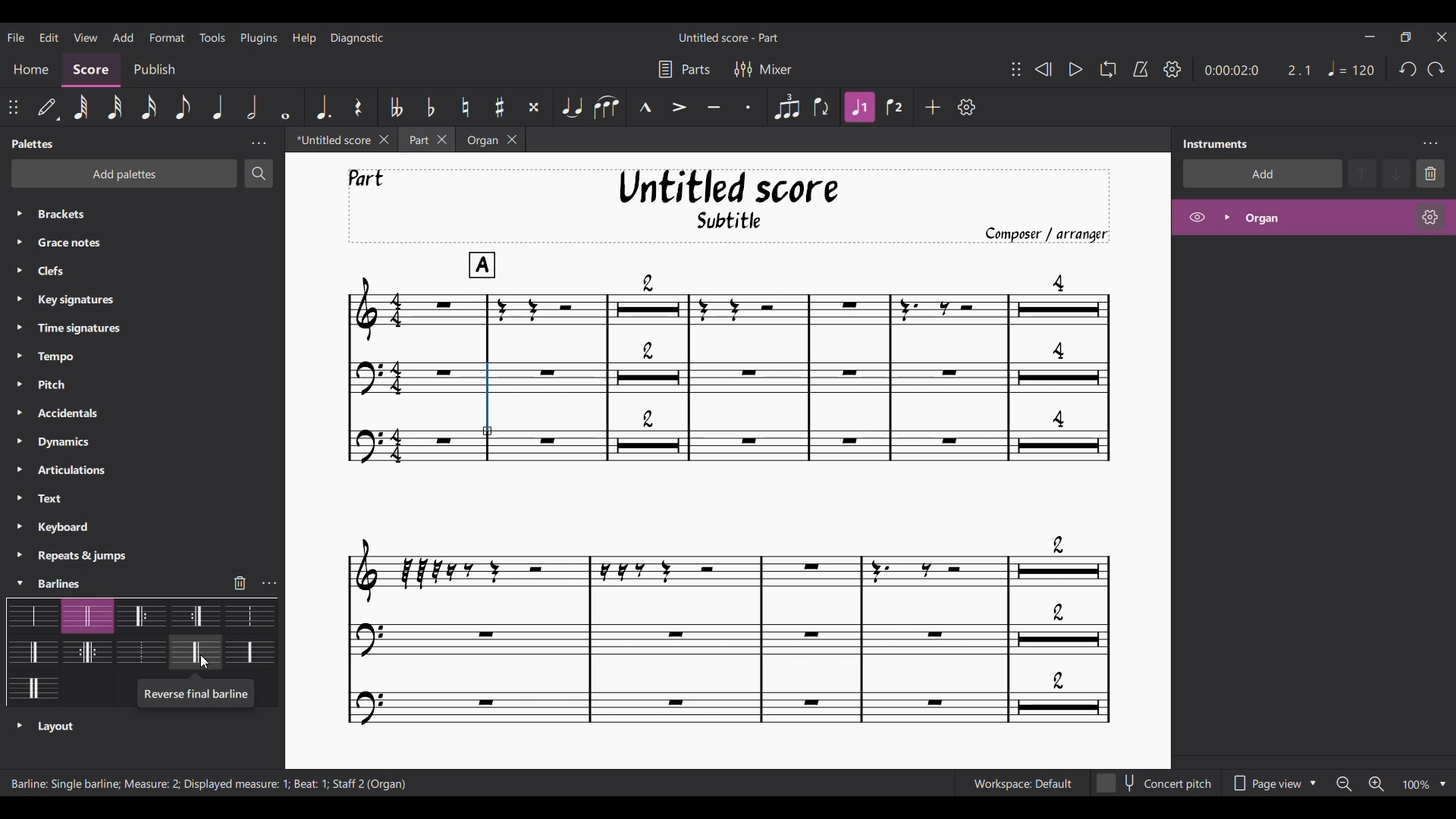 This screenshot has height=819, width=1456. I want to click on Diagnostic menu, so click(357, 38).